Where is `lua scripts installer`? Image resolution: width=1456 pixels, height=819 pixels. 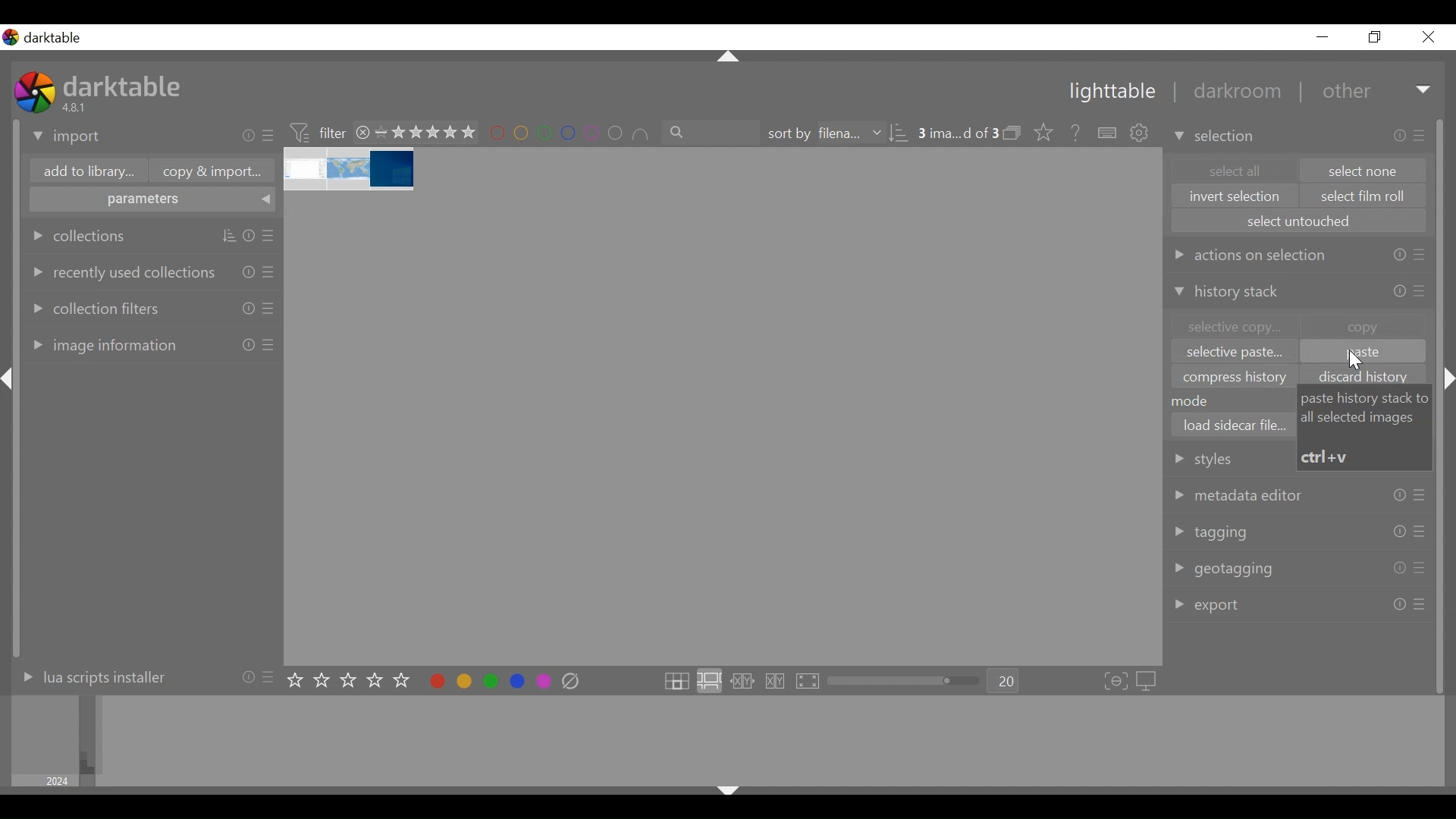 lua scripts installer is located at coordinates (90, 676).